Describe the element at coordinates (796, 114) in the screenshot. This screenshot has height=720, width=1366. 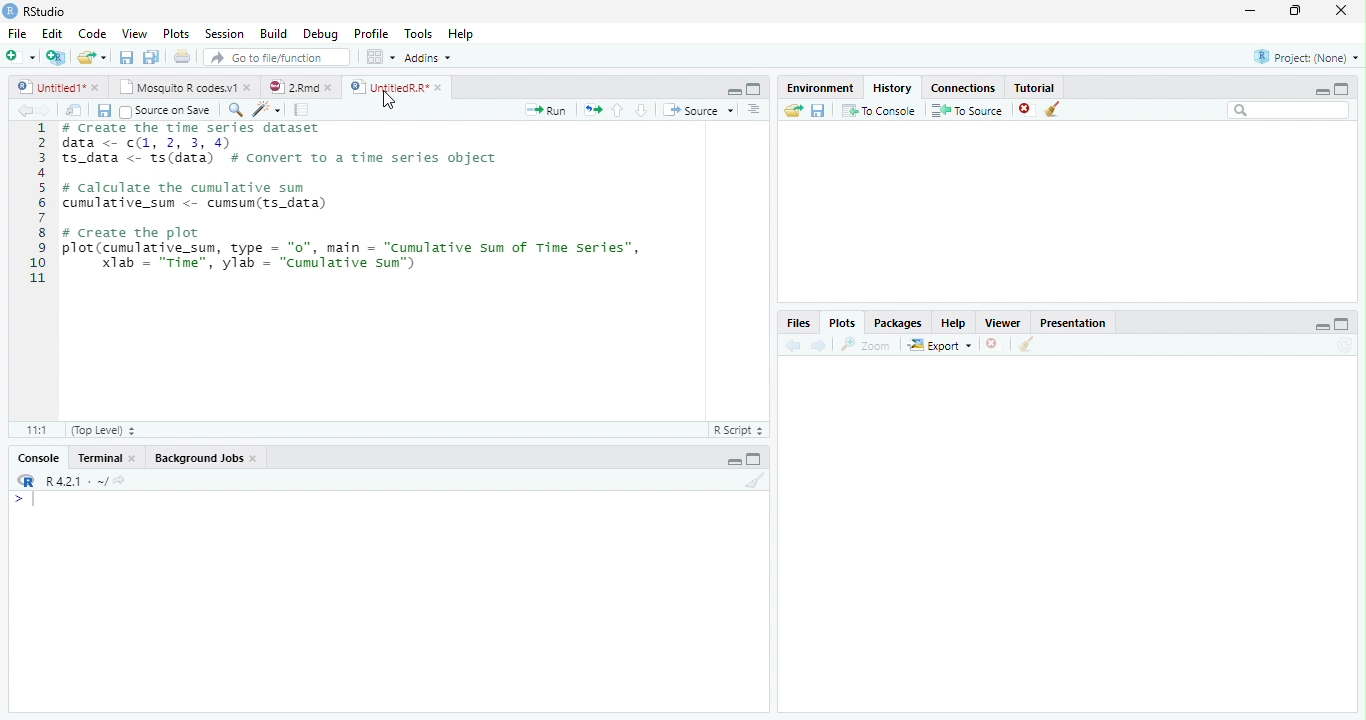
I see `Load Workspace` at that location.